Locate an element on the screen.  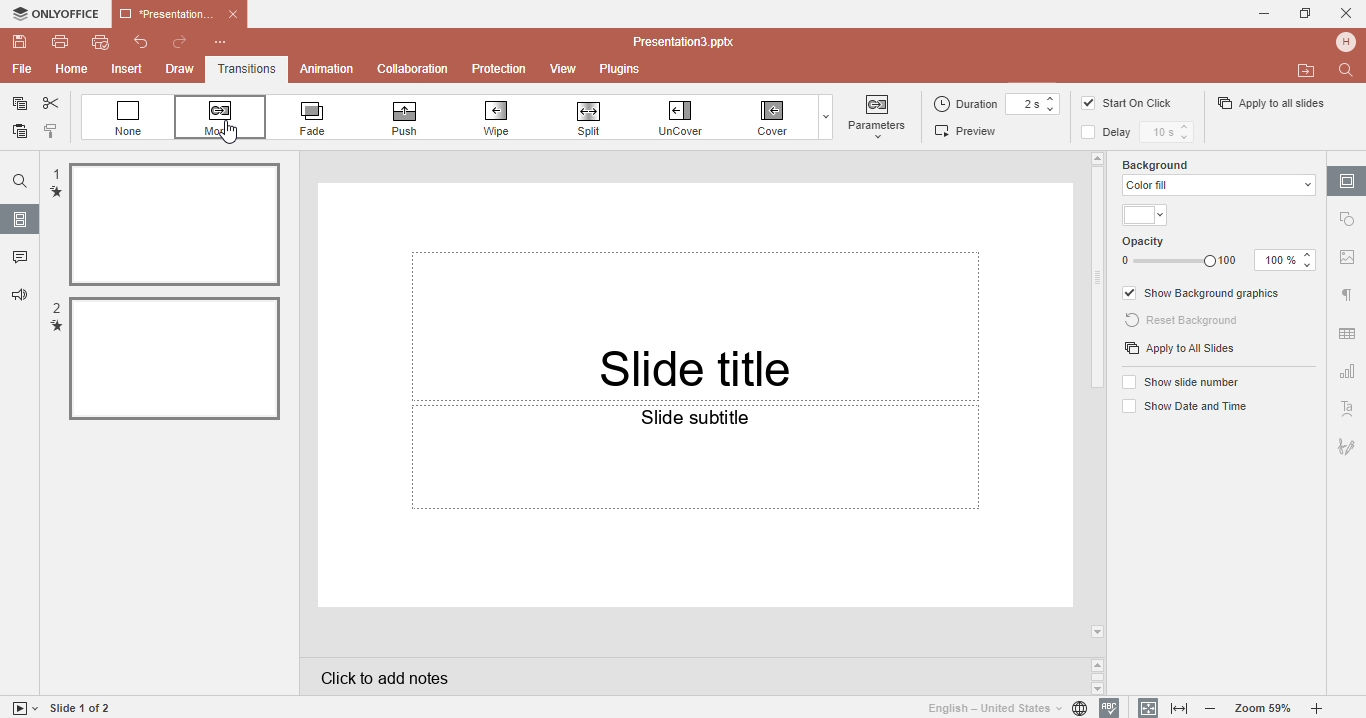
Quick print is located at coordinates (99, 45).